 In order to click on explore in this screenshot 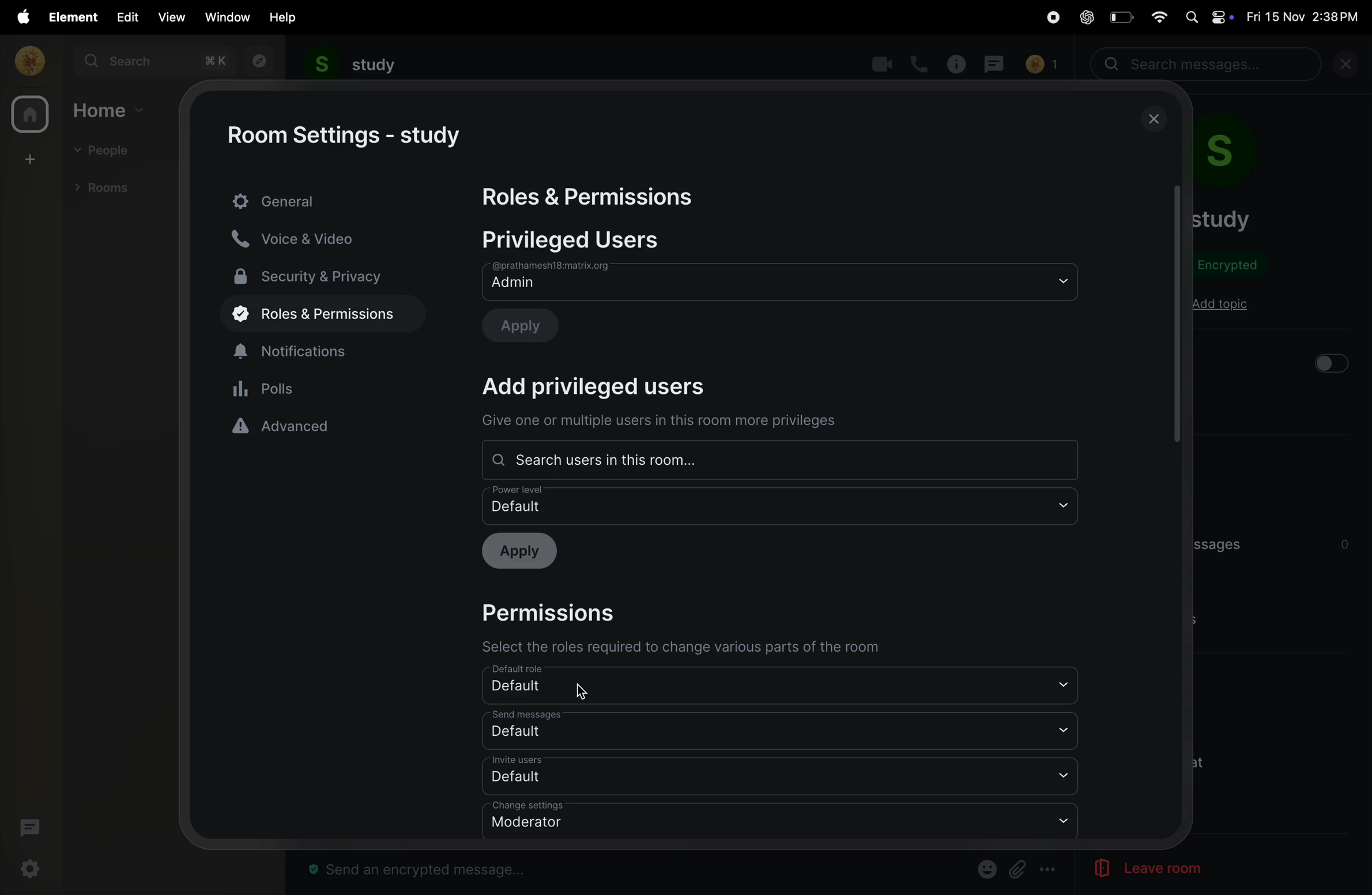, I will do `click(258, 61)`.